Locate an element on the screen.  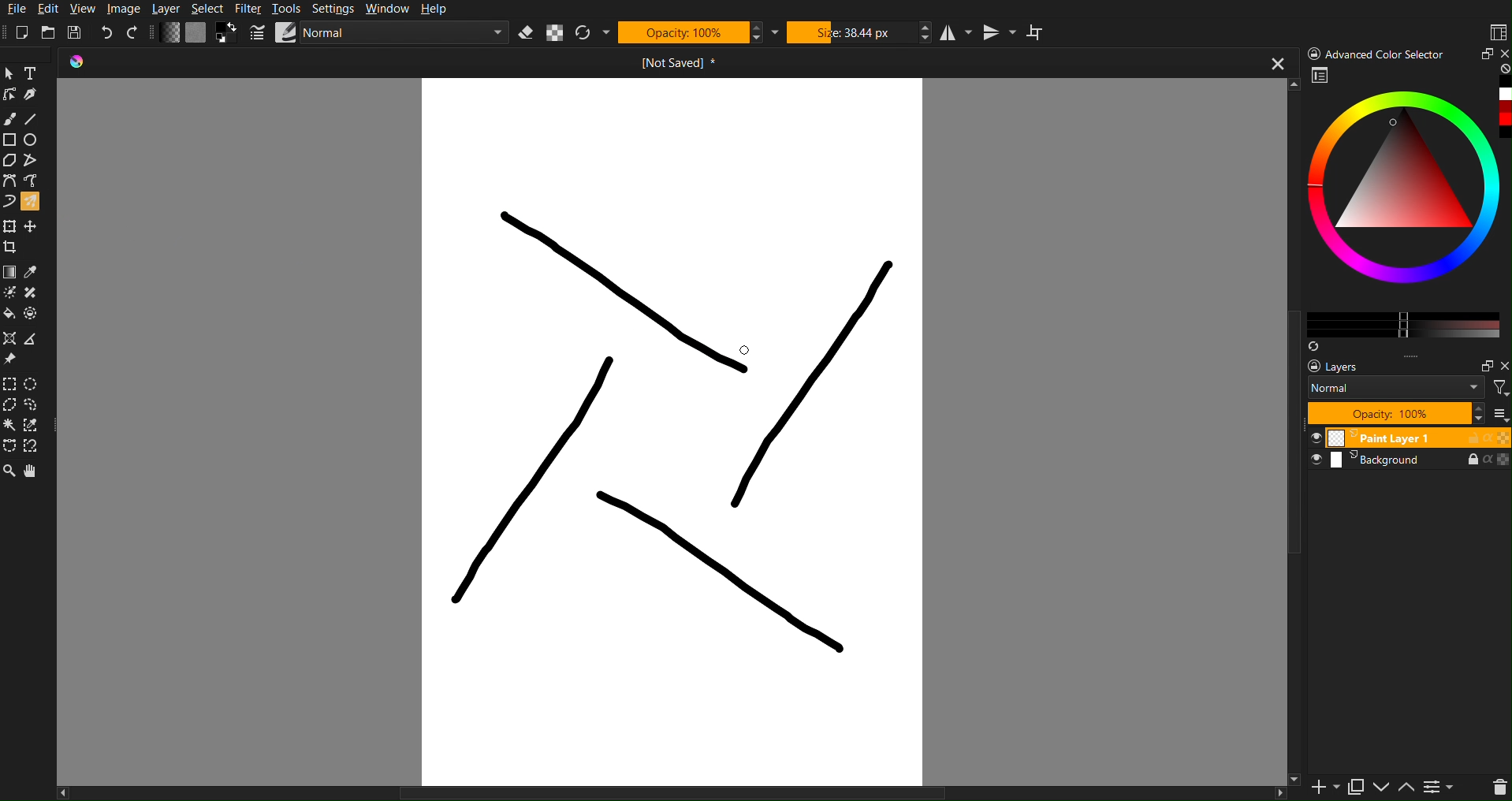
add is located at coordinates (1316, 789).